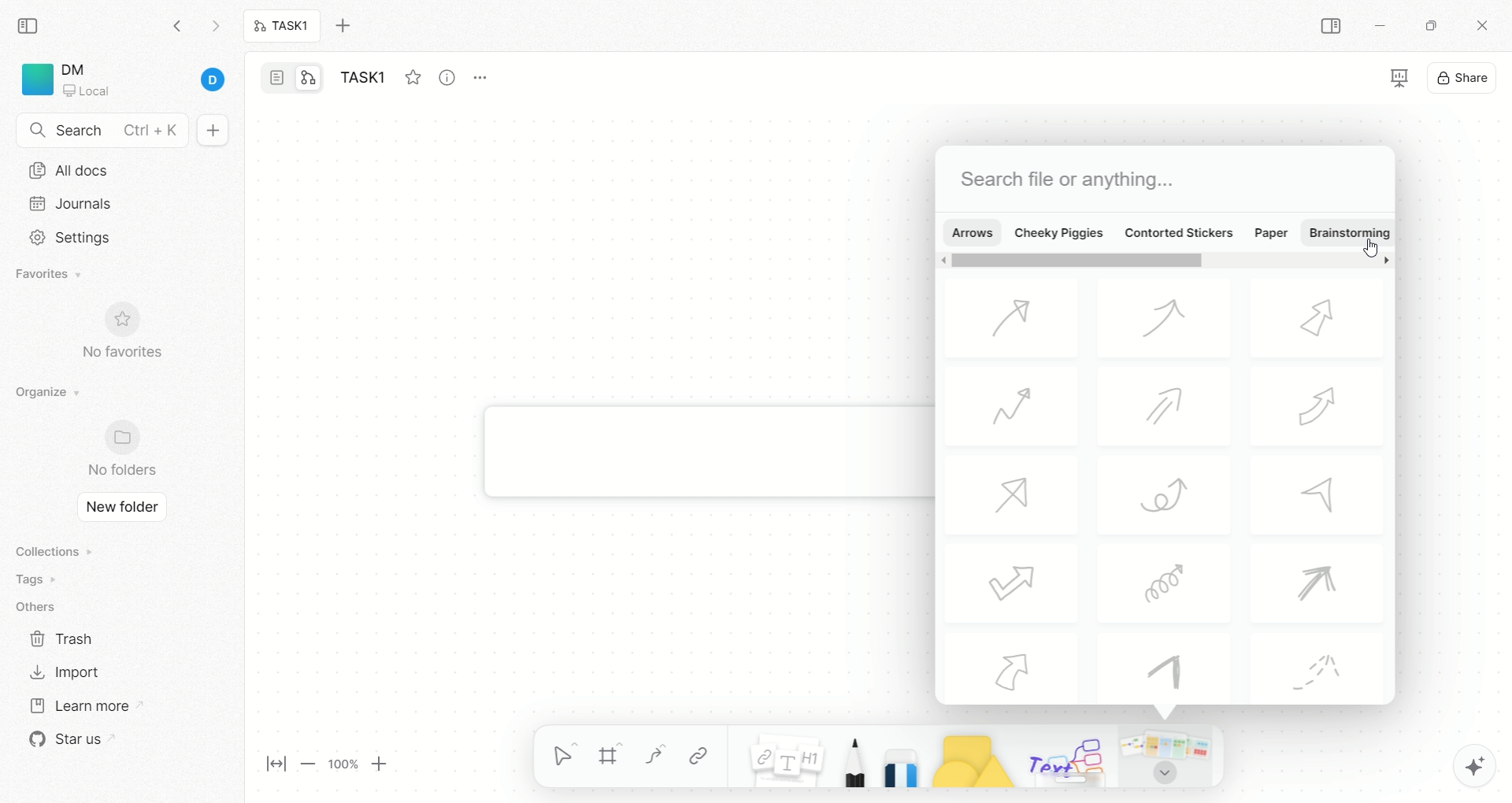  What do you see at coordinates (1369, 249) in the screenshot?
I see `cursor` at bounding box center [1369, 249].